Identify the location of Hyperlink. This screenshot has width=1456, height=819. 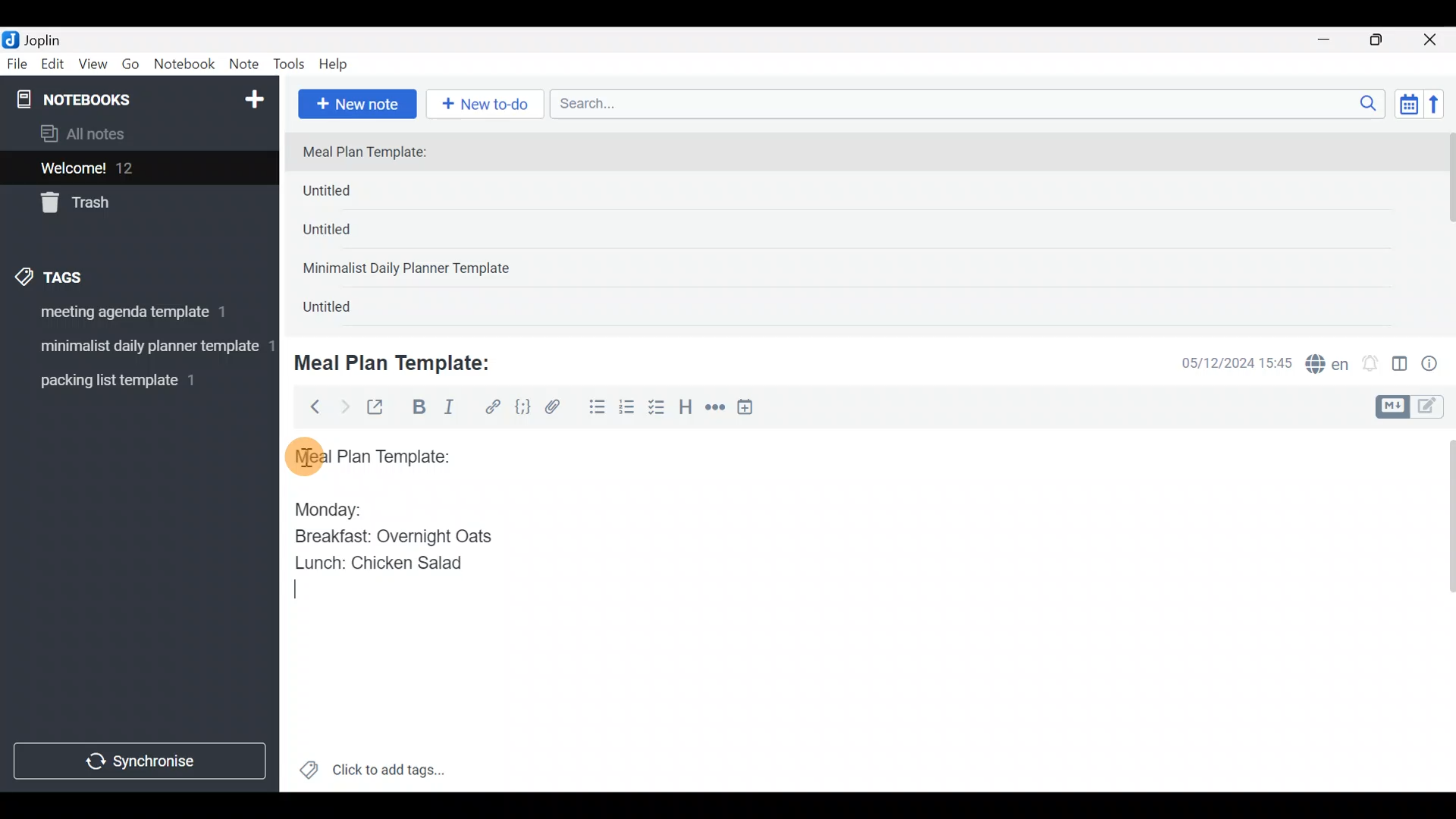
(493, 407).